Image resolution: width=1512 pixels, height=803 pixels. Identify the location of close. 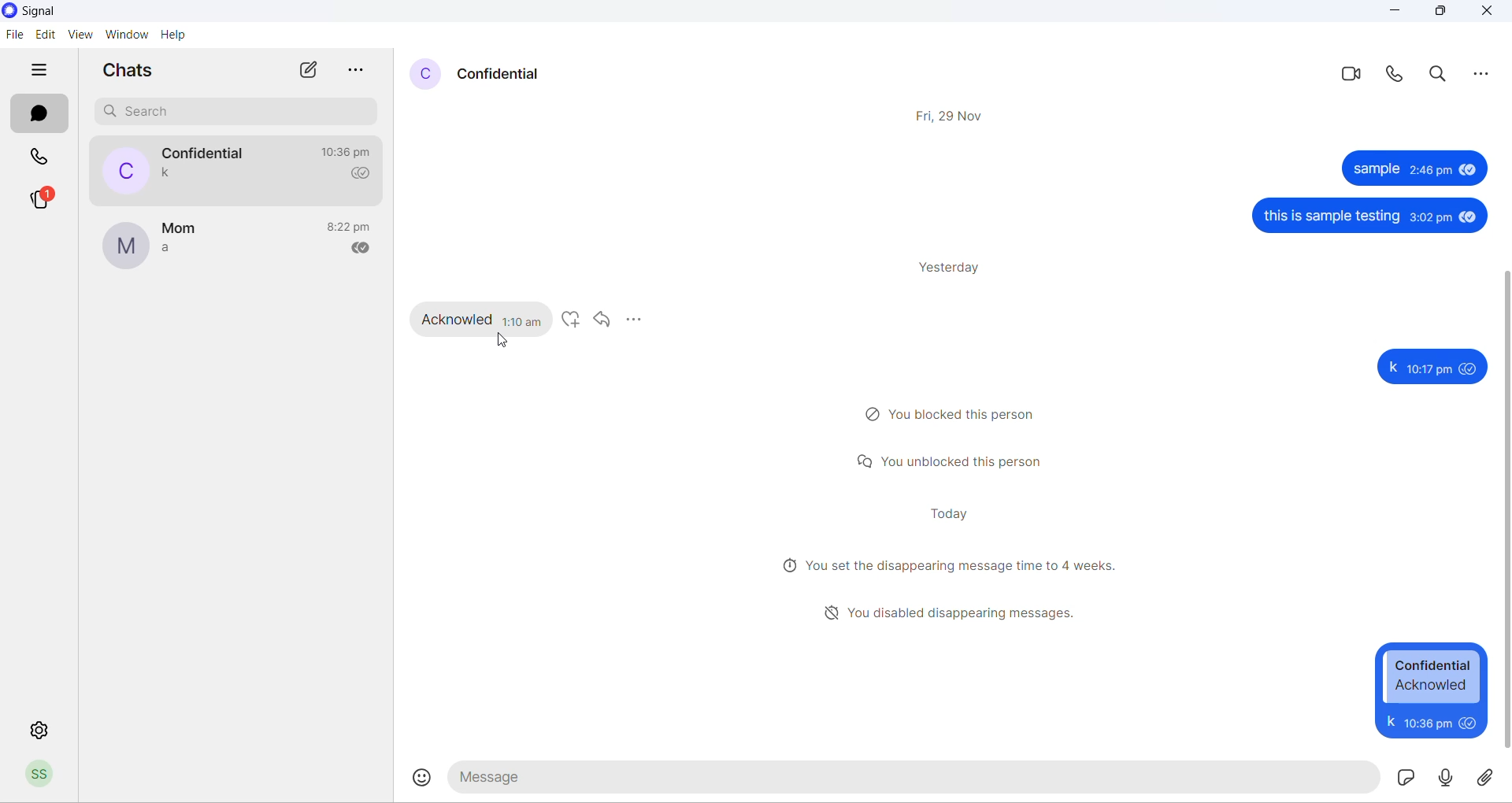
(1492, 16).